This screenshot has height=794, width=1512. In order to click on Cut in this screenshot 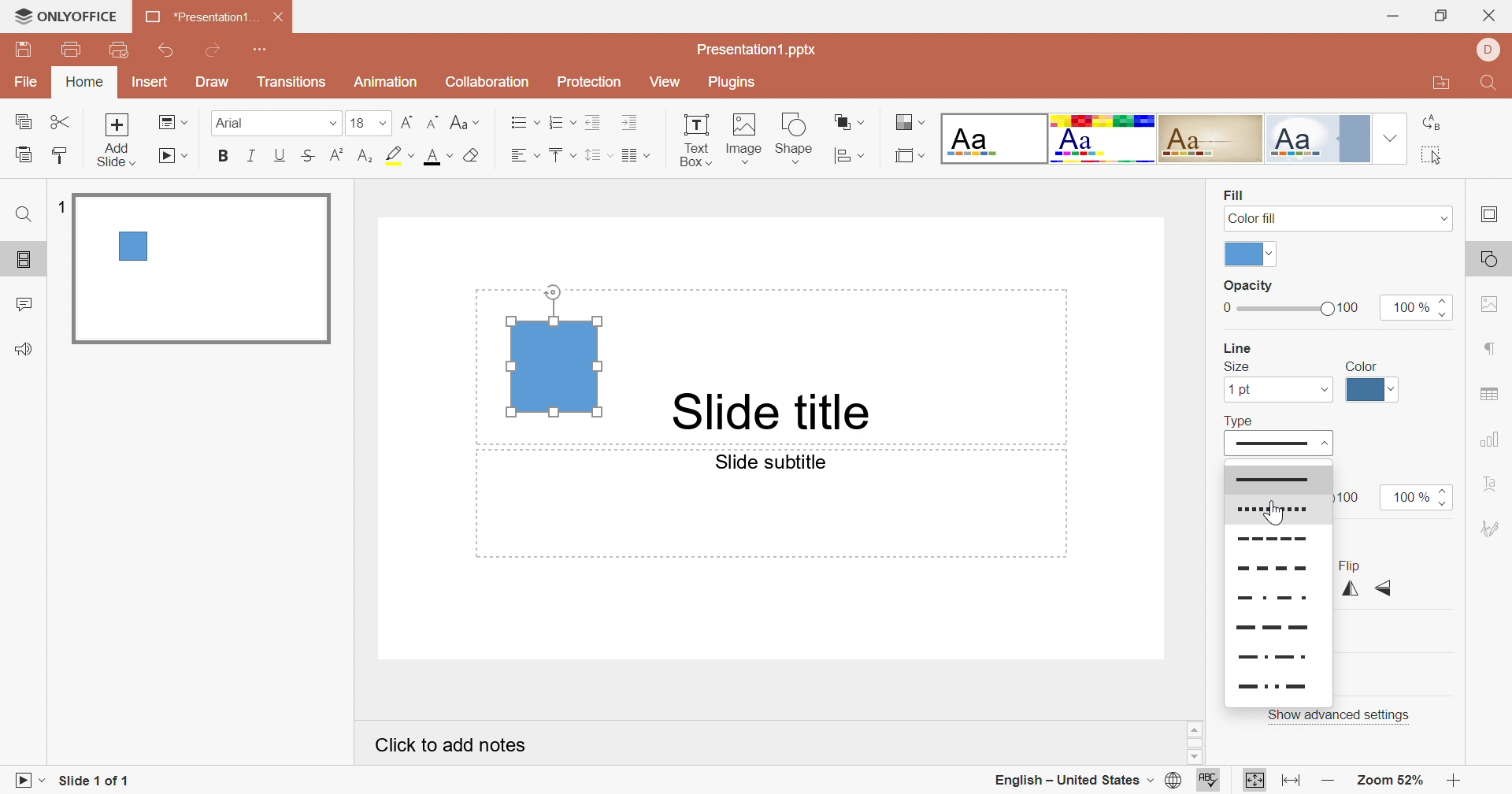, I will do `click(63, 123)`.